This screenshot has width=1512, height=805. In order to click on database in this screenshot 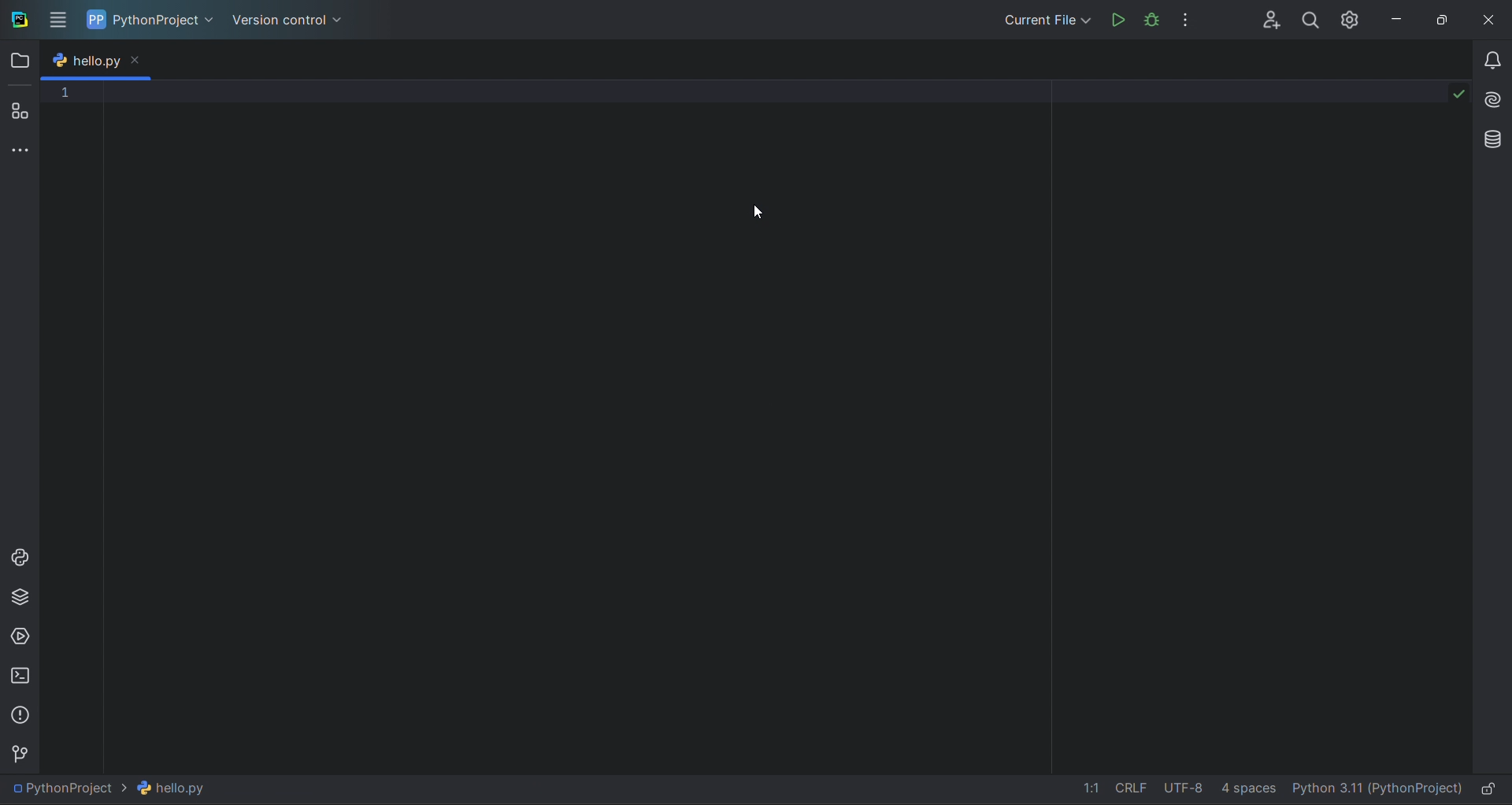, I will do `click(1493, 141)`.